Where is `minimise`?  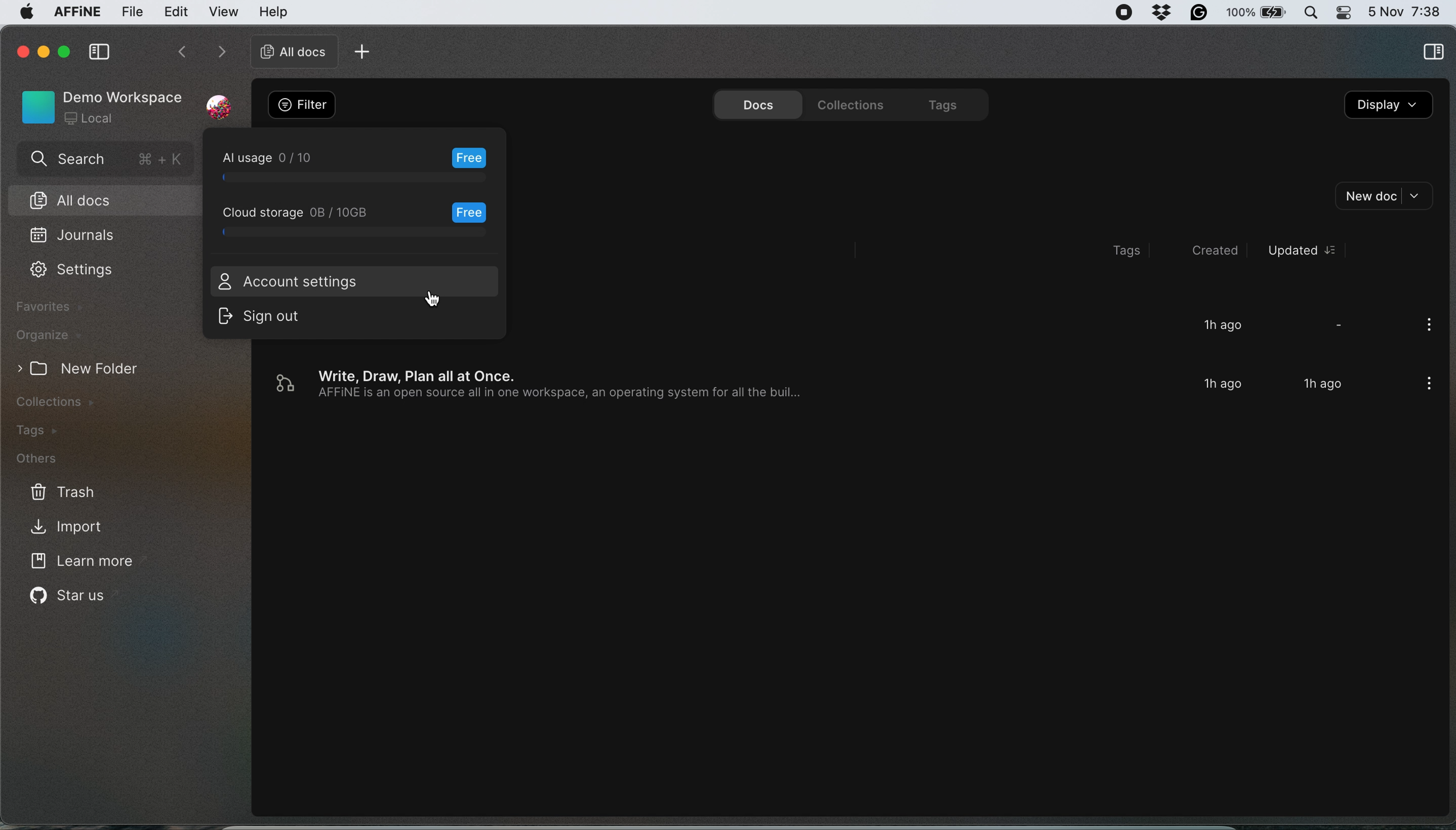 minimise is located at coordinates (43, 49).